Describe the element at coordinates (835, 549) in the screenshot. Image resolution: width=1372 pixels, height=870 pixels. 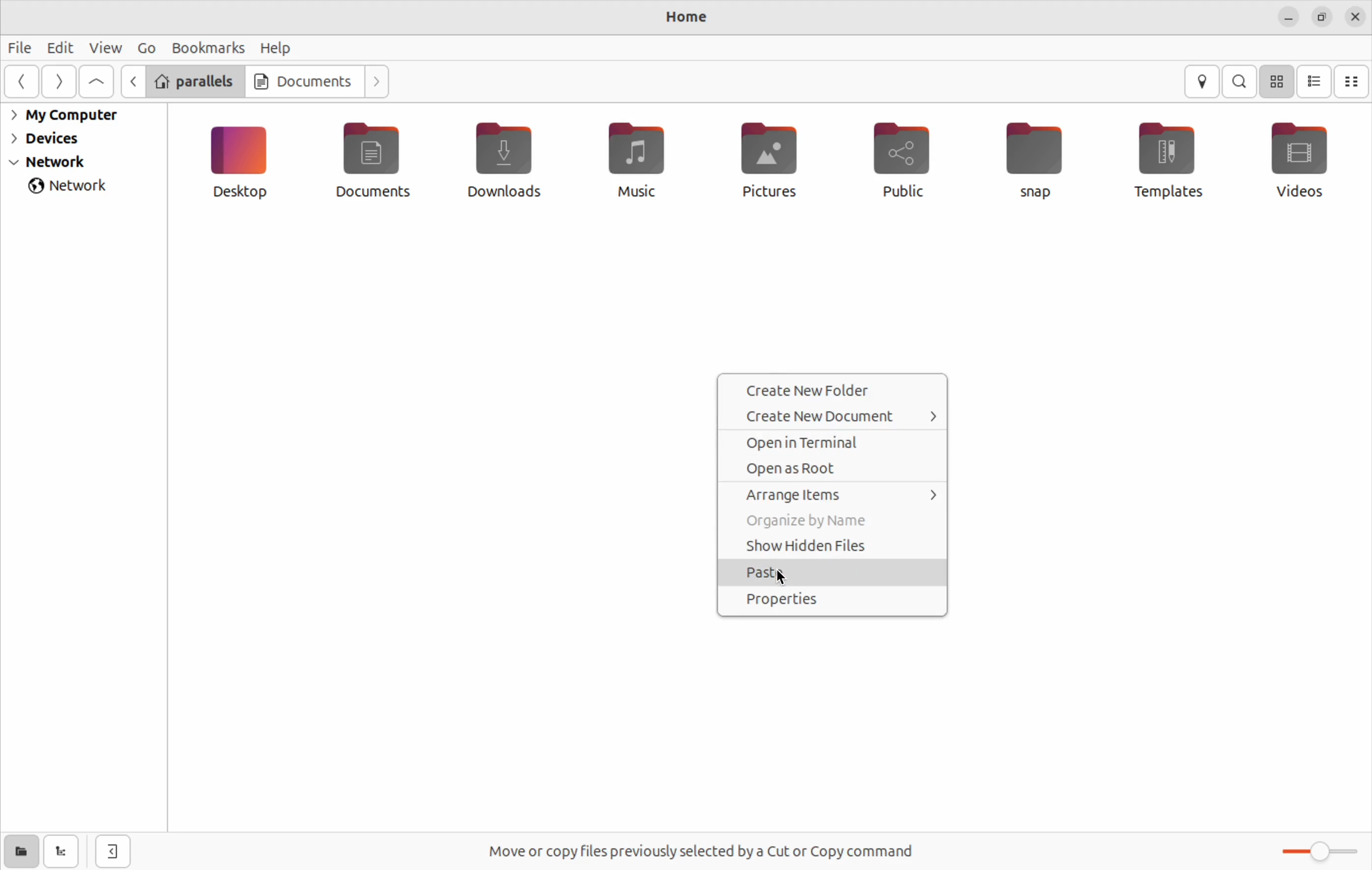
I see `Show hidden files` at that location.